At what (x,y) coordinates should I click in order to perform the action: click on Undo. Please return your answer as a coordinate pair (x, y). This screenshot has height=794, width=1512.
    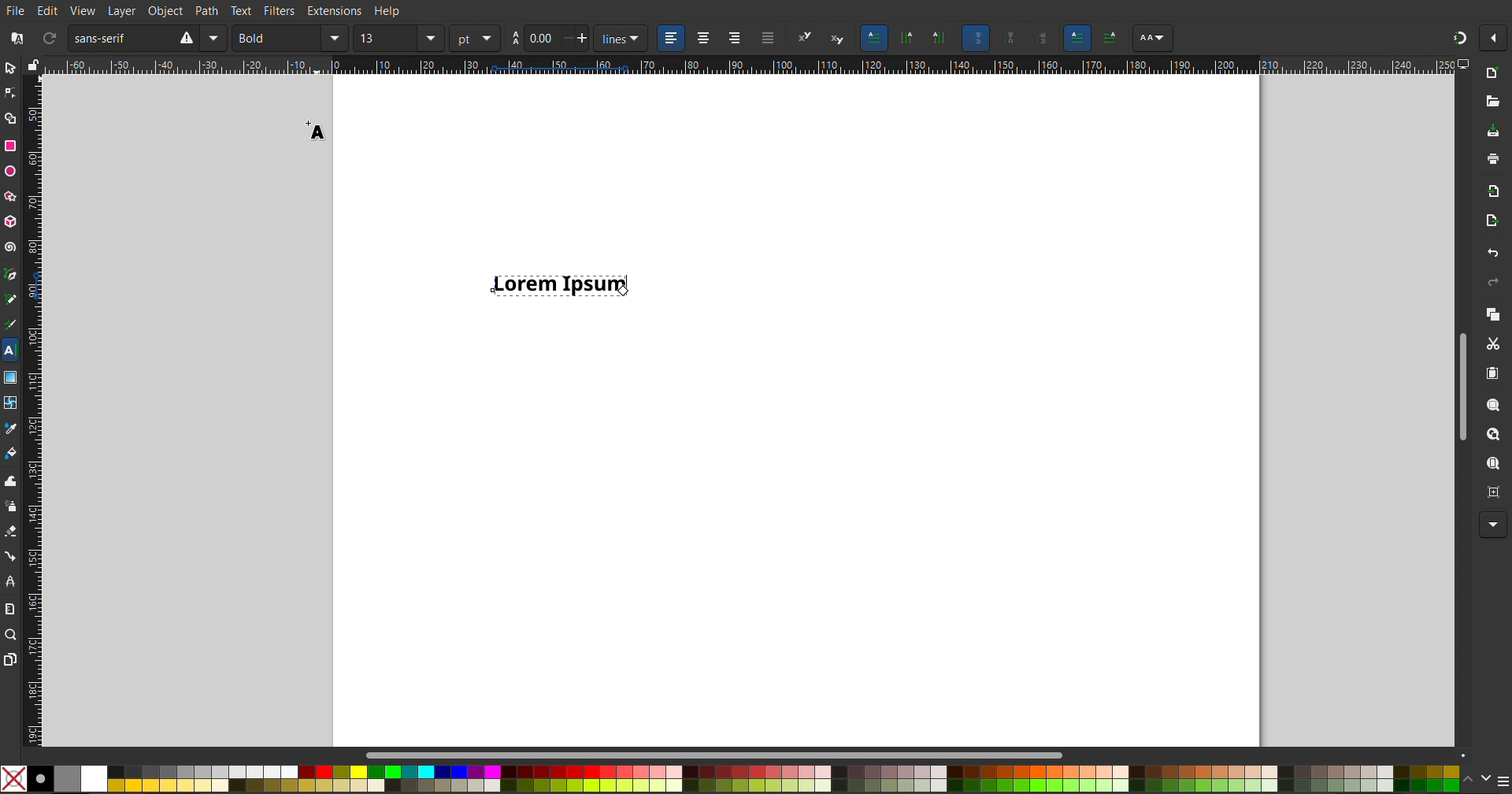
    Looking at the image, I should click on (1492, 253).